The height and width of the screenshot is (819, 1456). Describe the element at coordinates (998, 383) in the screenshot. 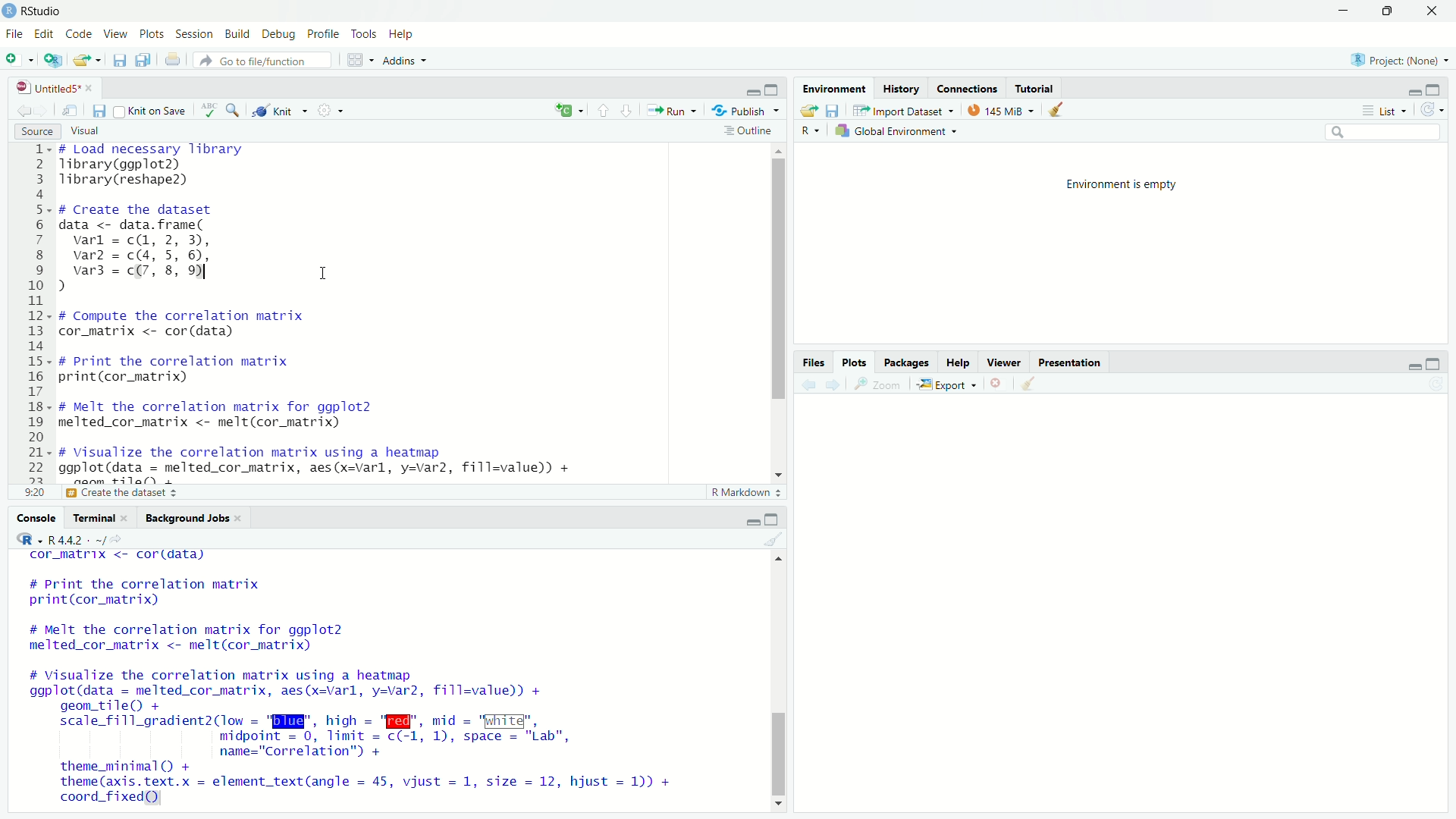

I see `remove current plot` at that location.